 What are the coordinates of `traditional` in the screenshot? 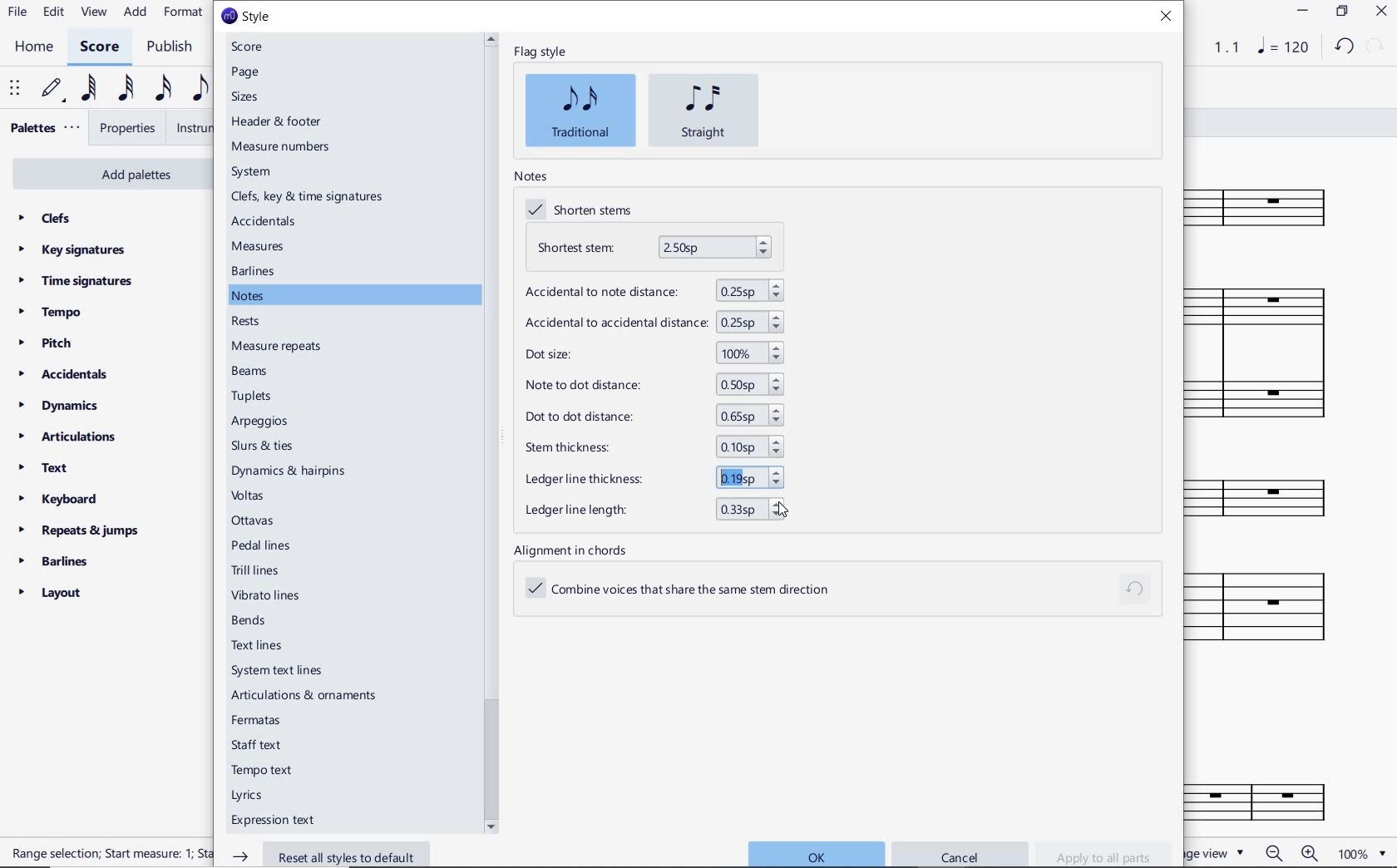 It's located at (580, 110).